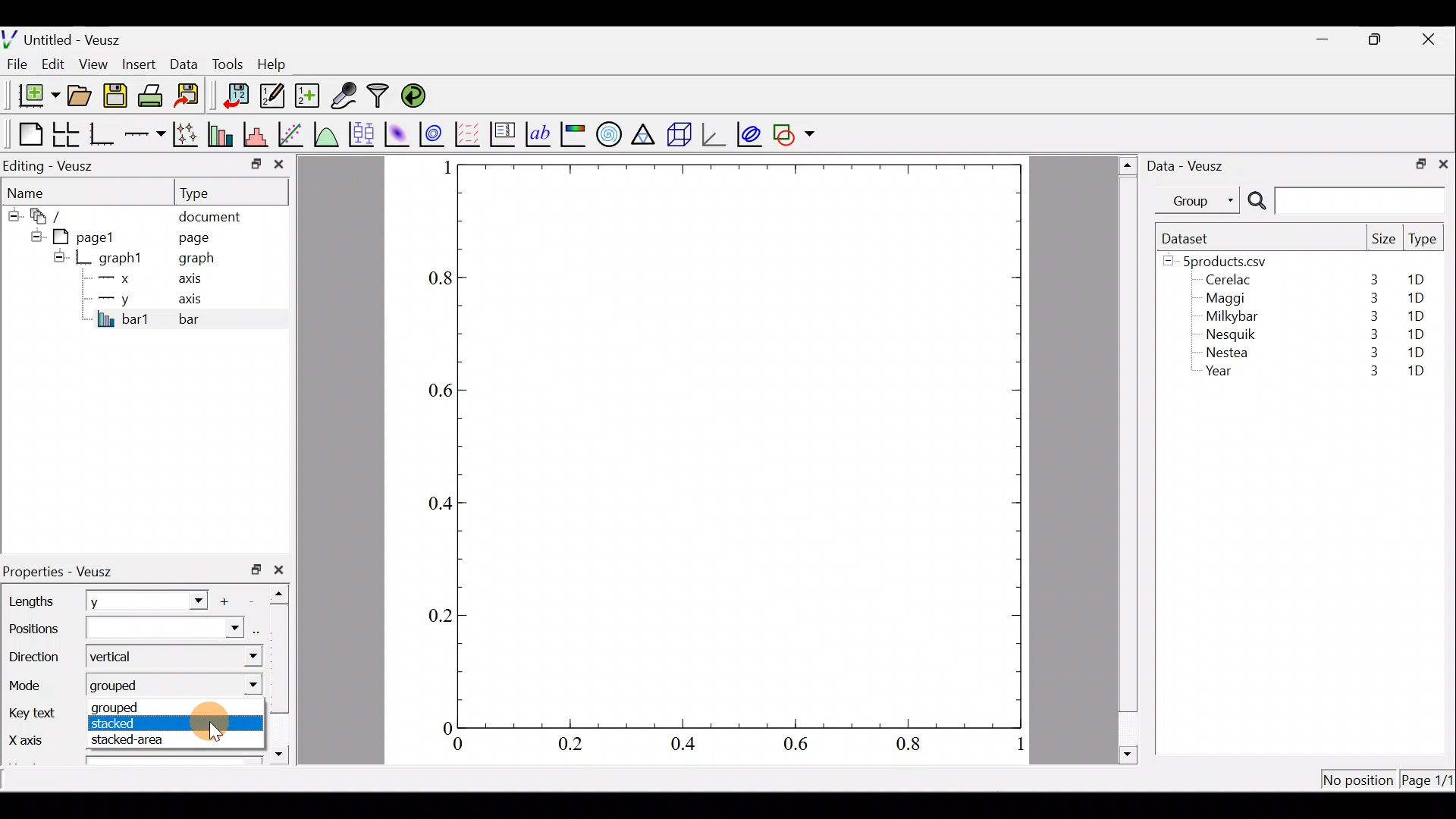 This screenshot has width=1456, height=819. I want to click on mode dropdown, so click(246, 683).